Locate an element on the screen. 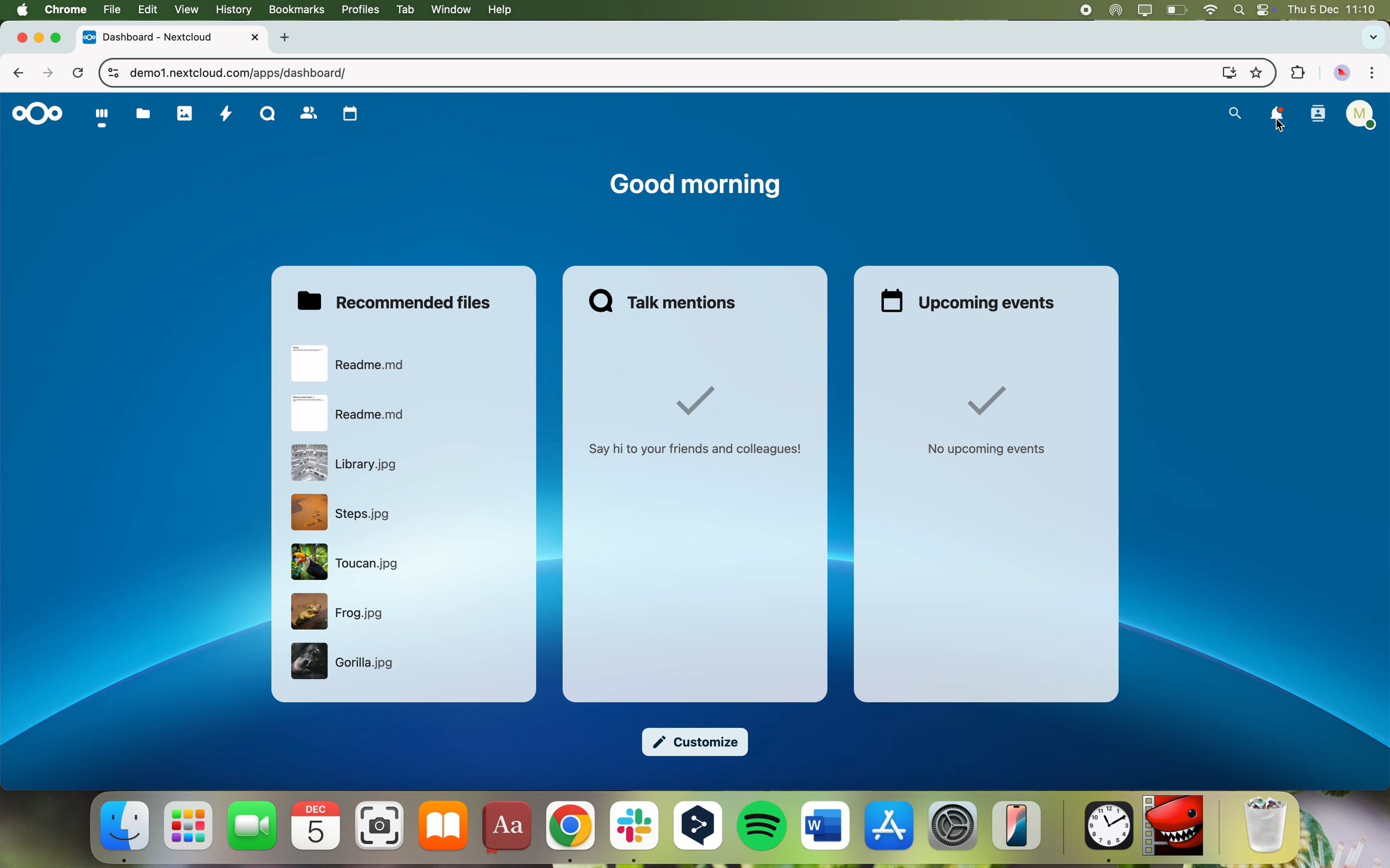  minimize is located at coordinates (39, 39).